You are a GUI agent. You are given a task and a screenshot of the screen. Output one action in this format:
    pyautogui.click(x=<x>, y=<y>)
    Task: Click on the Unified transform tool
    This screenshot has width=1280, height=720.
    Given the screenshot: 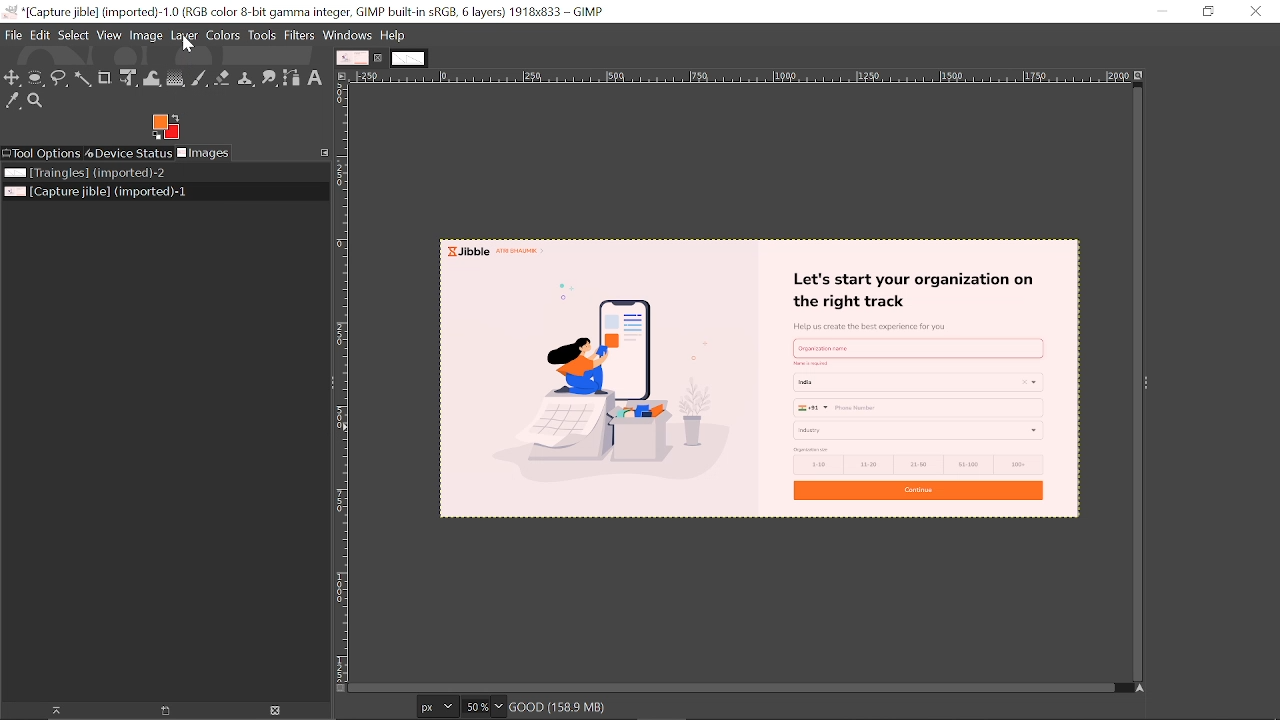 What is the action you would take?
    pyautogui.click(x=128, y=78)
    